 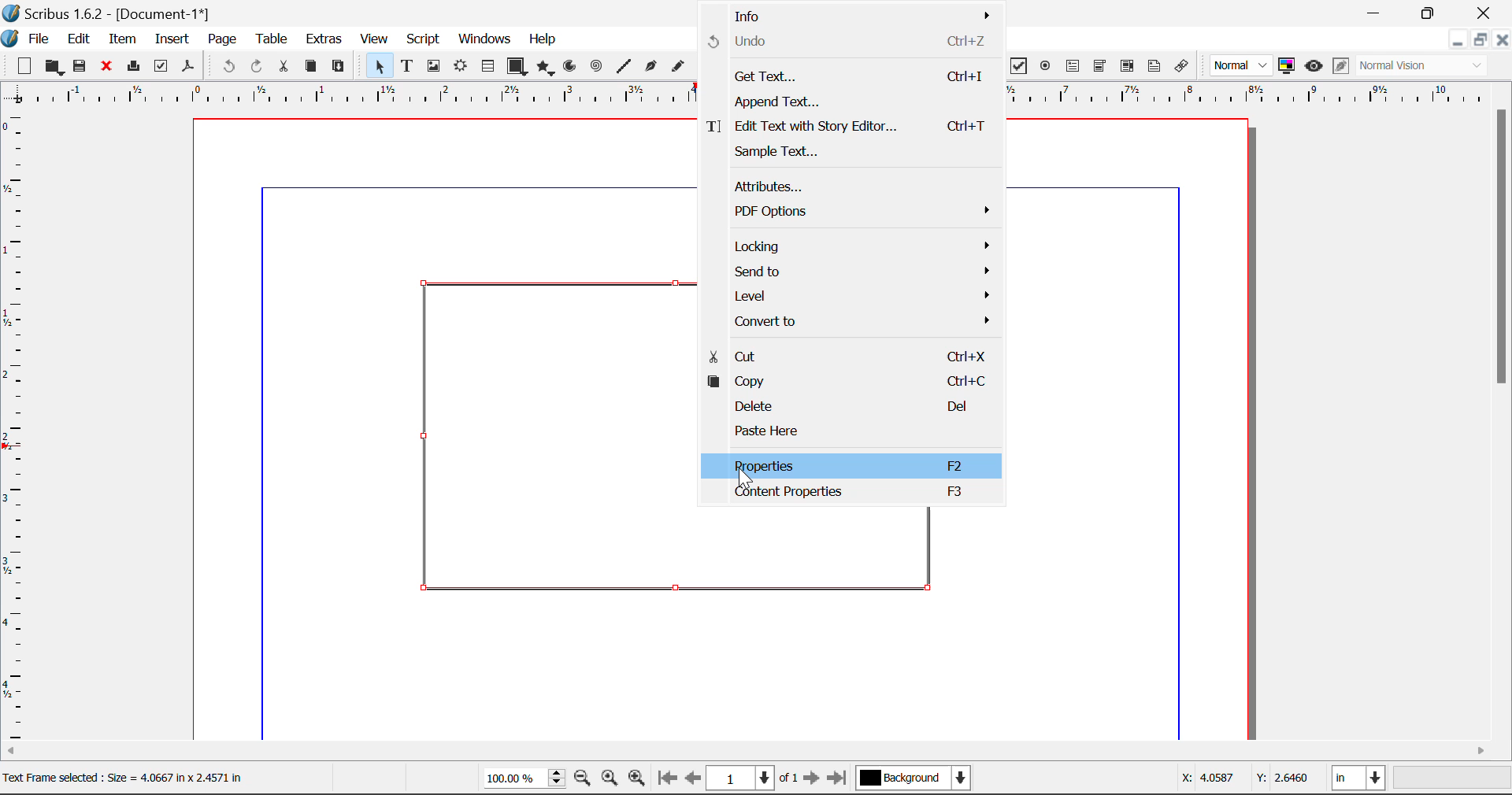 I want to click on Restore Down, so click(x=1377, y=13).